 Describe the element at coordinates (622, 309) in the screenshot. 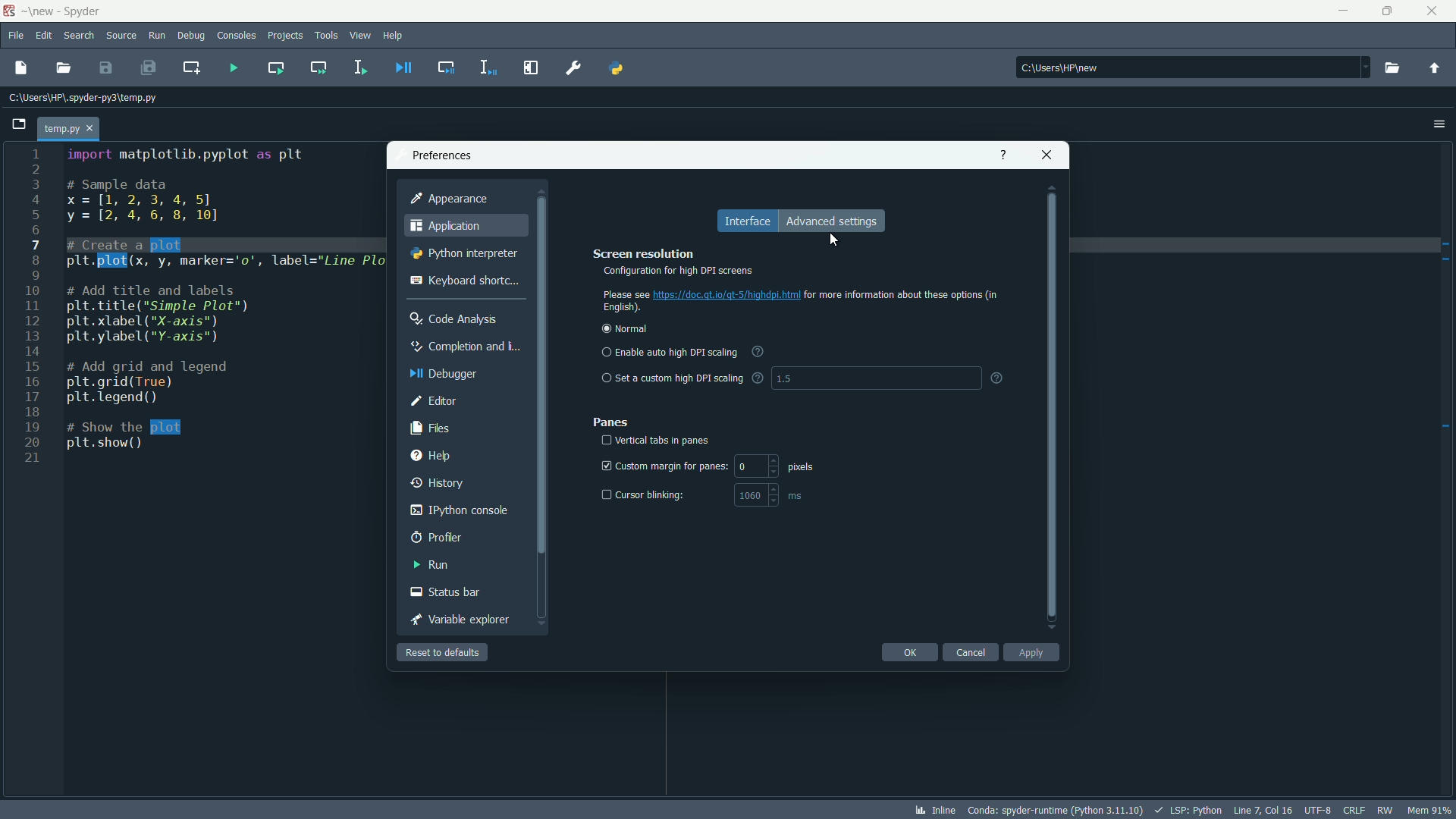

I see `english` at that location.